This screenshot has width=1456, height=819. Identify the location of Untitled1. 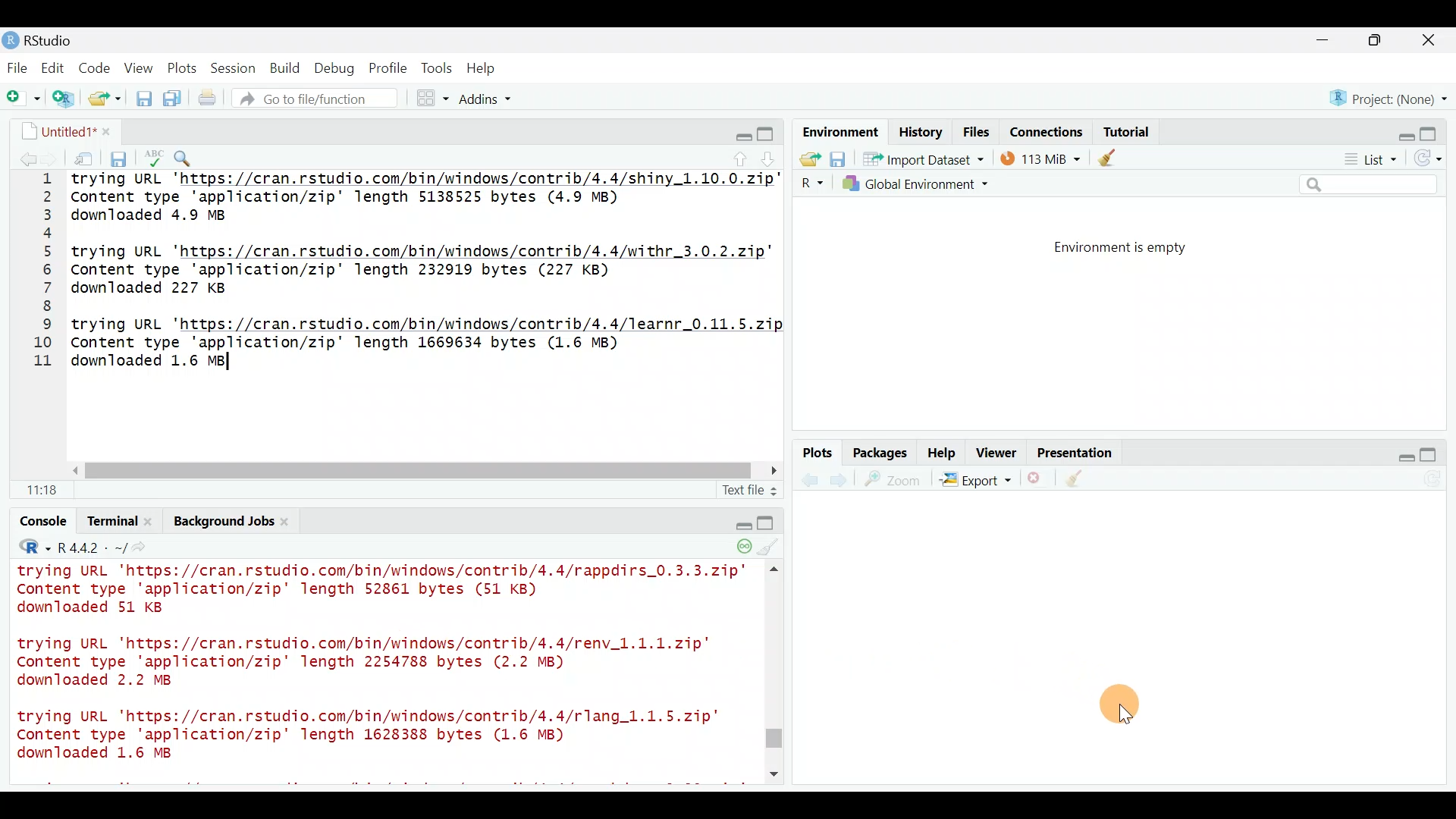
(62, 130).